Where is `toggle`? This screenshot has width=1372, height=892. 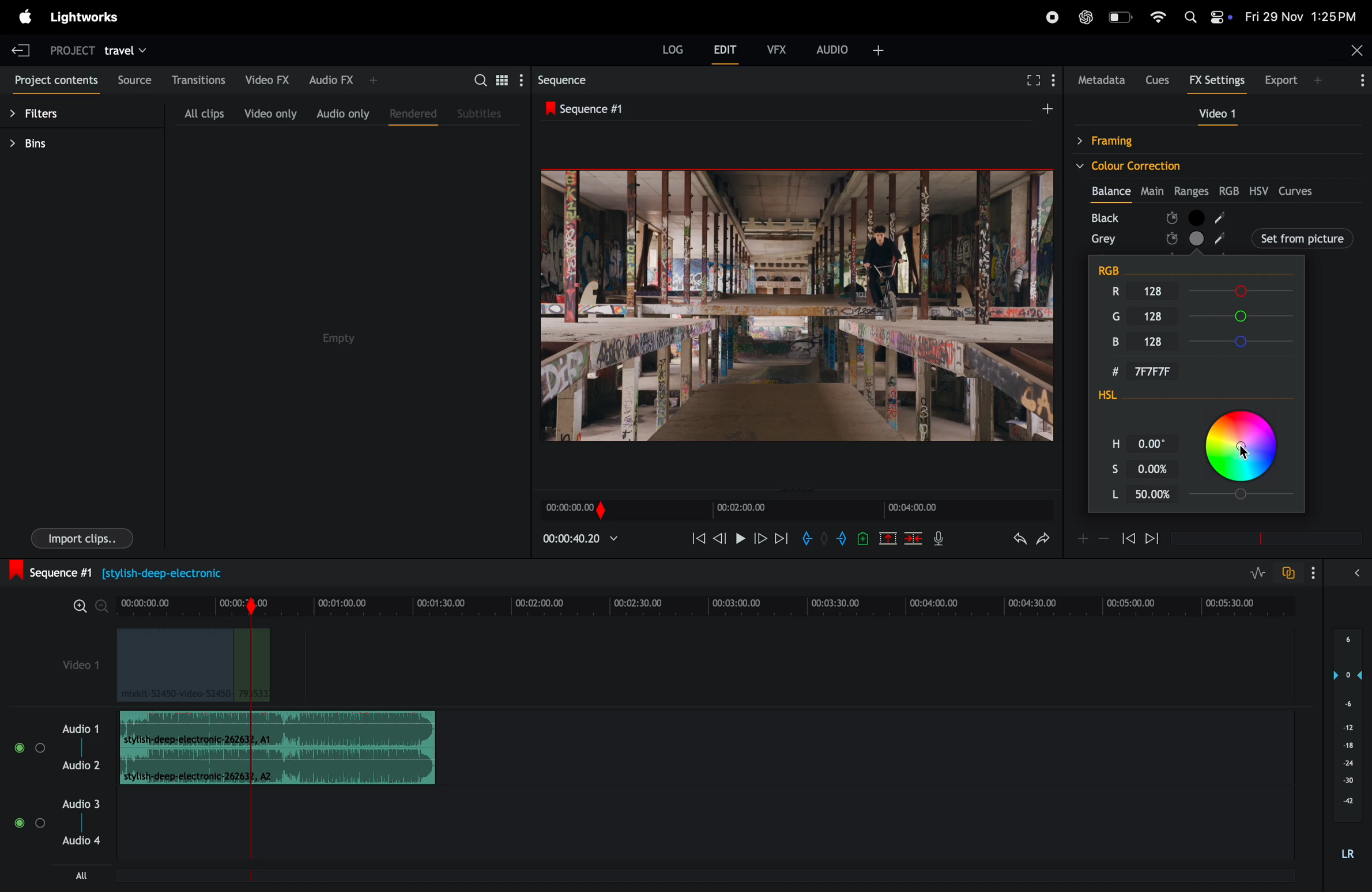 toggle is located at coordinates (18, 823).